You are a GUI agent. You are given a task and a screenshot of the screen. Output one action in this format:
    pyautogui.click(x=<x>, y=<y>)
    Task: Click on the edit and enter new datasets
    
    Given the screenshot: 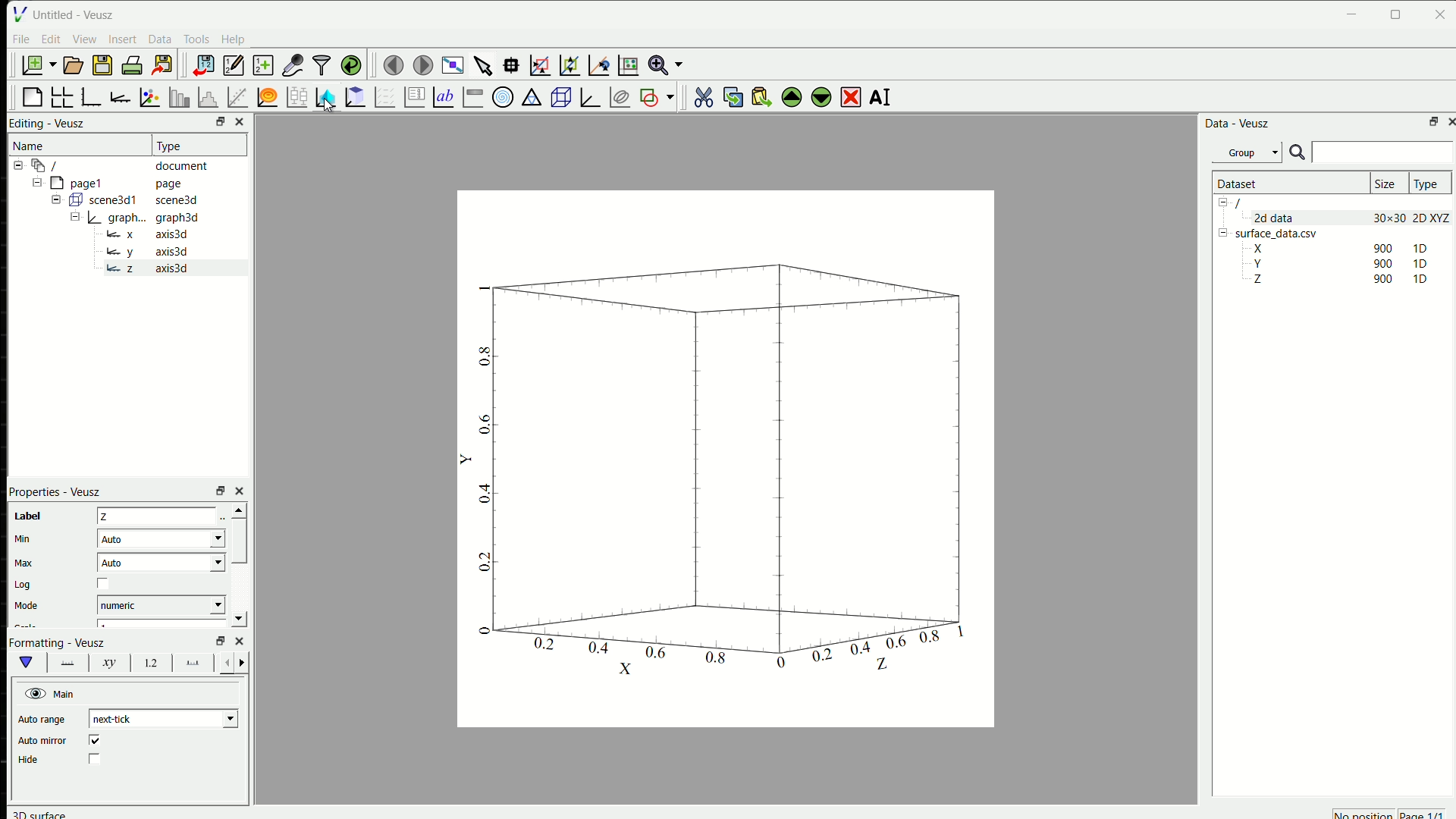 What is the action you would take?
    pyautogui.click(x=234, y=64)
    